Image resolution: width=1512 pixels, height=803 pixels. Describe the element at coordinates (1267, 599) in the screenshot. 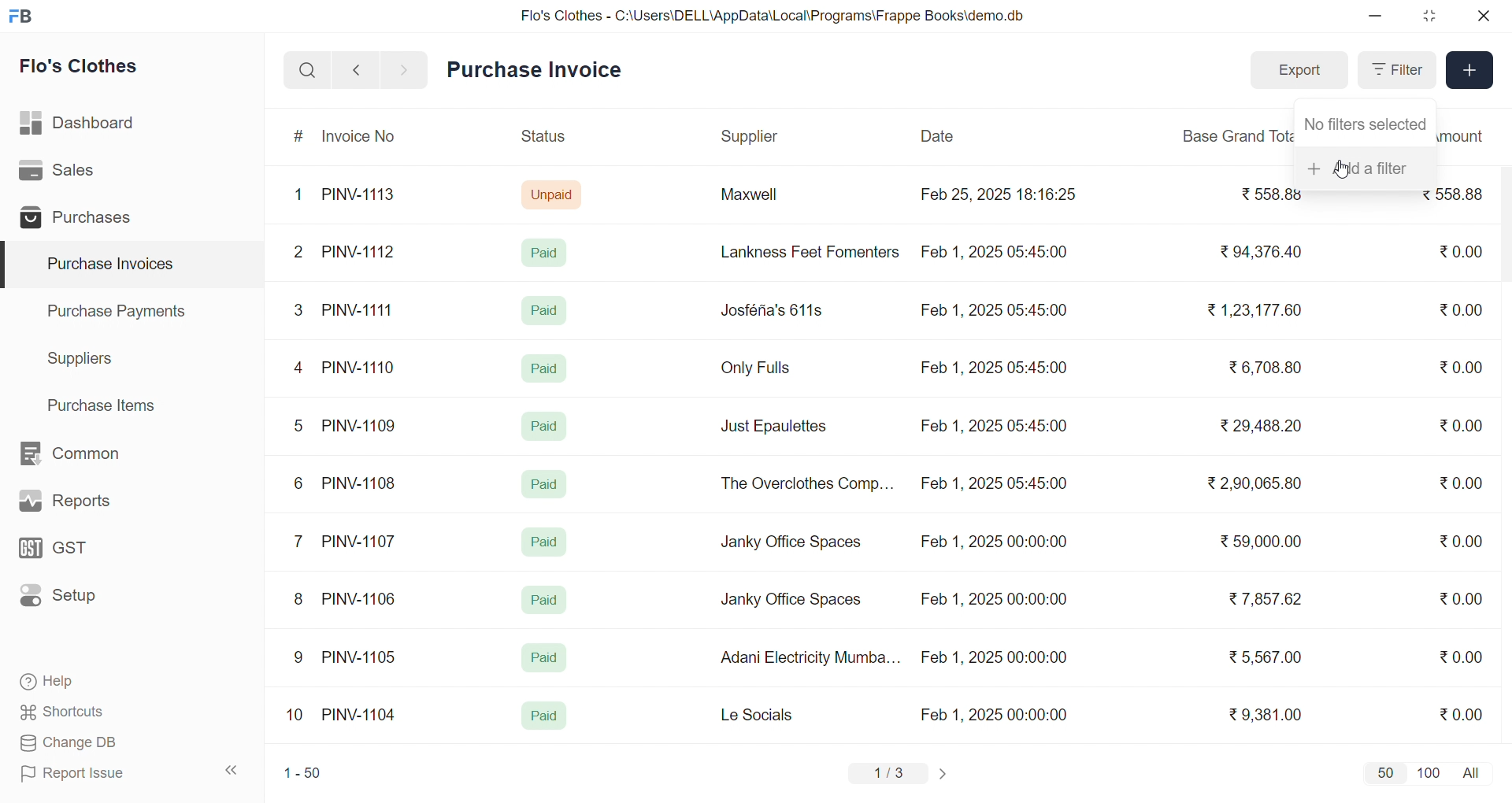

I see `₹ 7,857.62` at that location.